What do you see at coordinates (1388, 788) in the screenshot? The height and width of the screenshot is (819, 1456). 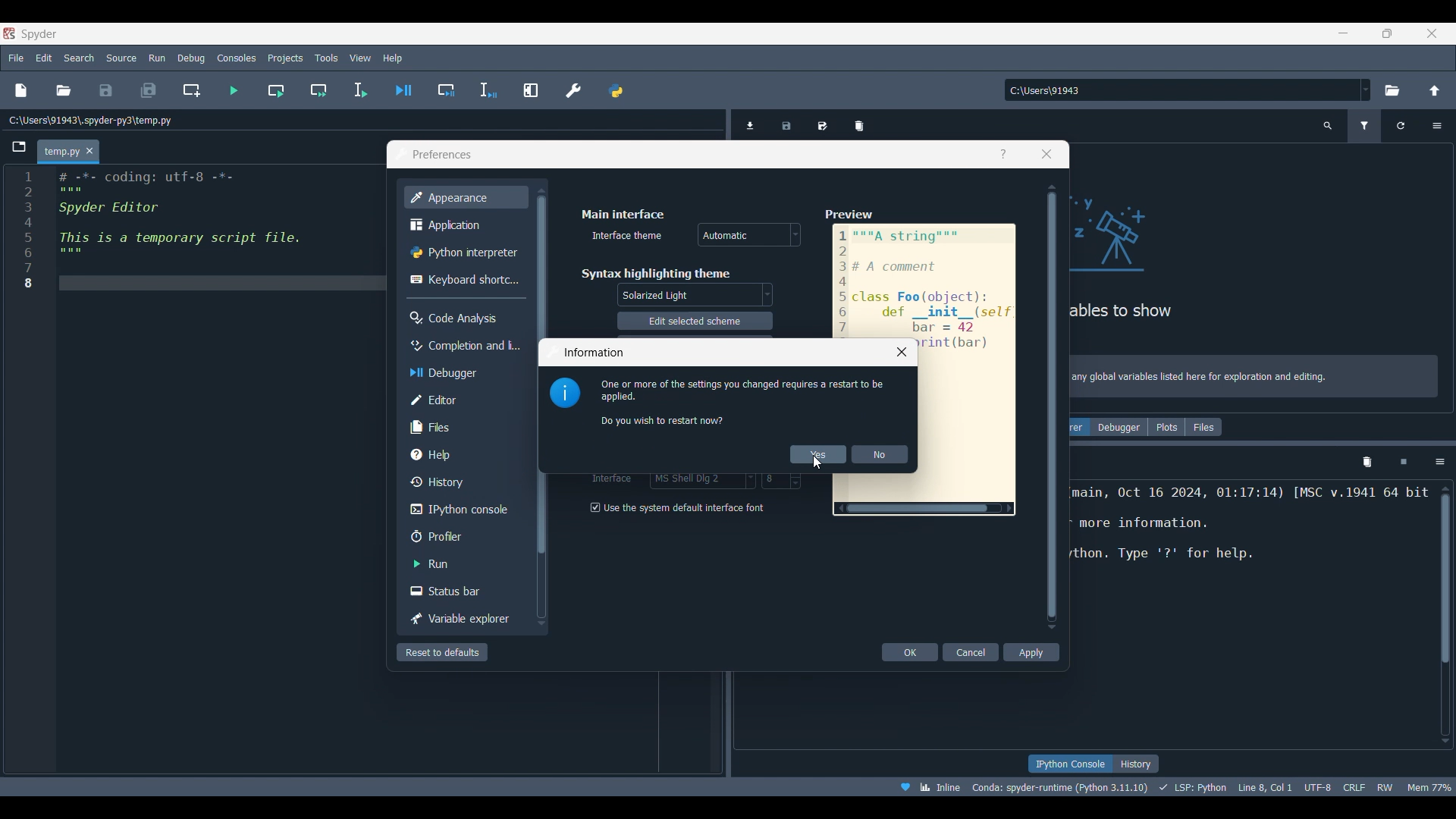 I see `rw` at bounding box center [1388, 788].